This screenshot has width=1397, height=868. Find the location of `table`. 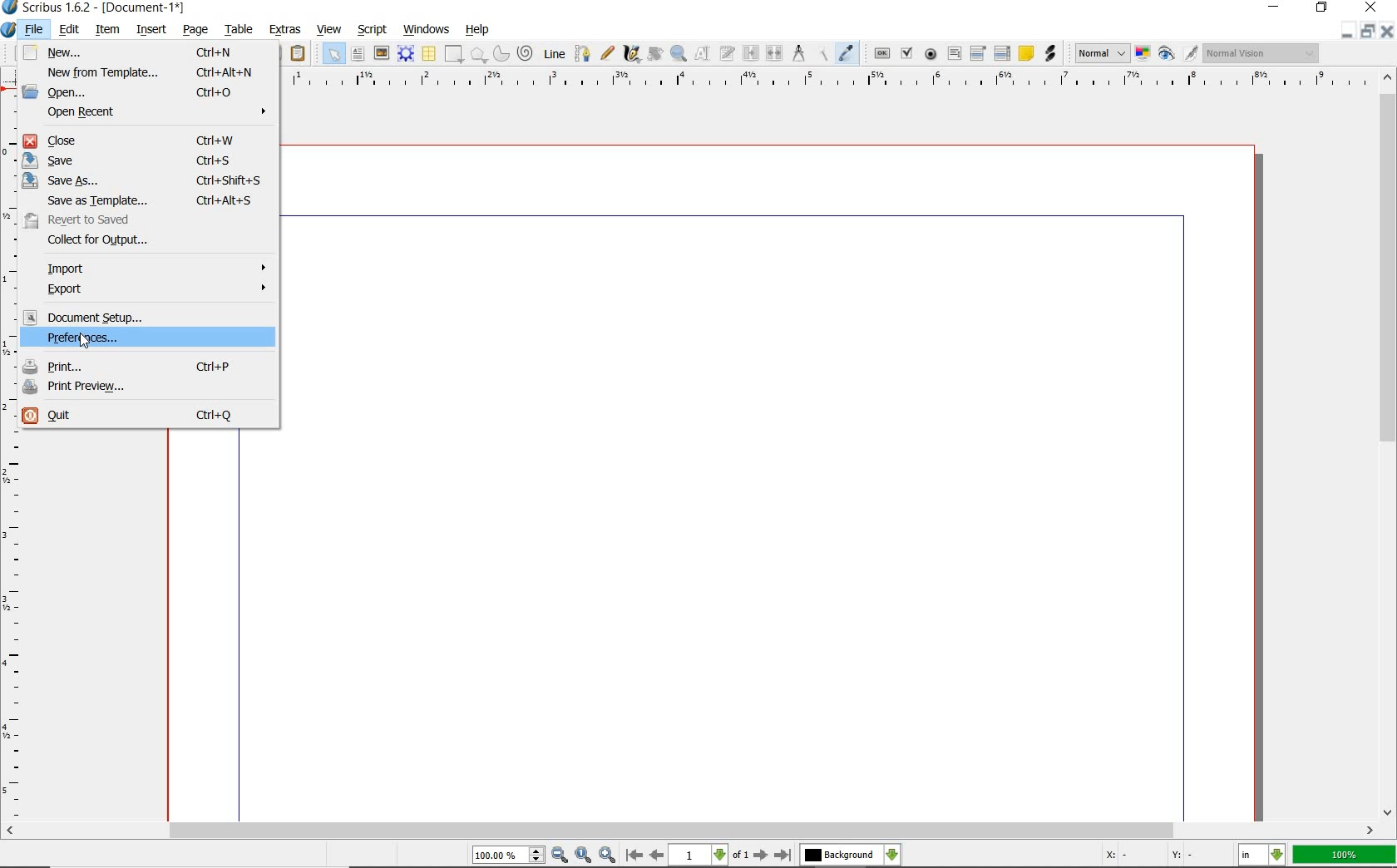

table is located at coordinates (430, 55).